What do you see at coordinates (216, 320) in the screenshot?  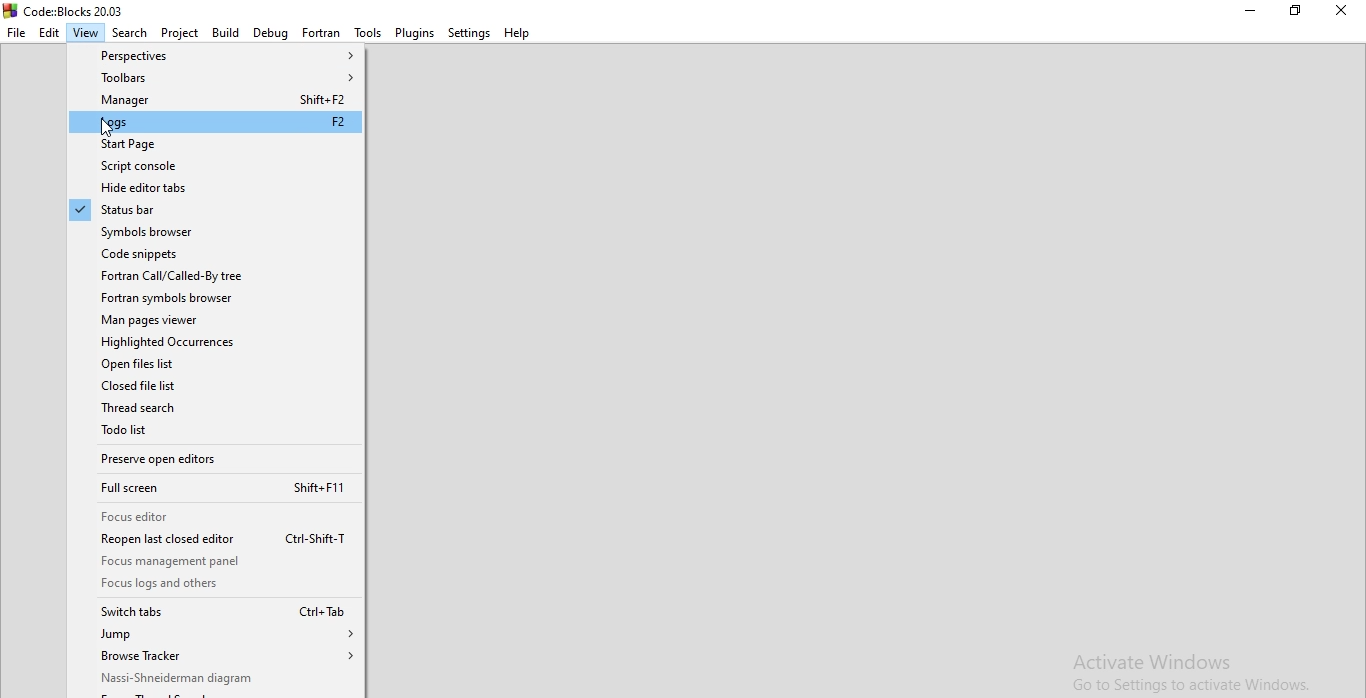 I see `Man pages viewer ` at bounding box center [216, 320].